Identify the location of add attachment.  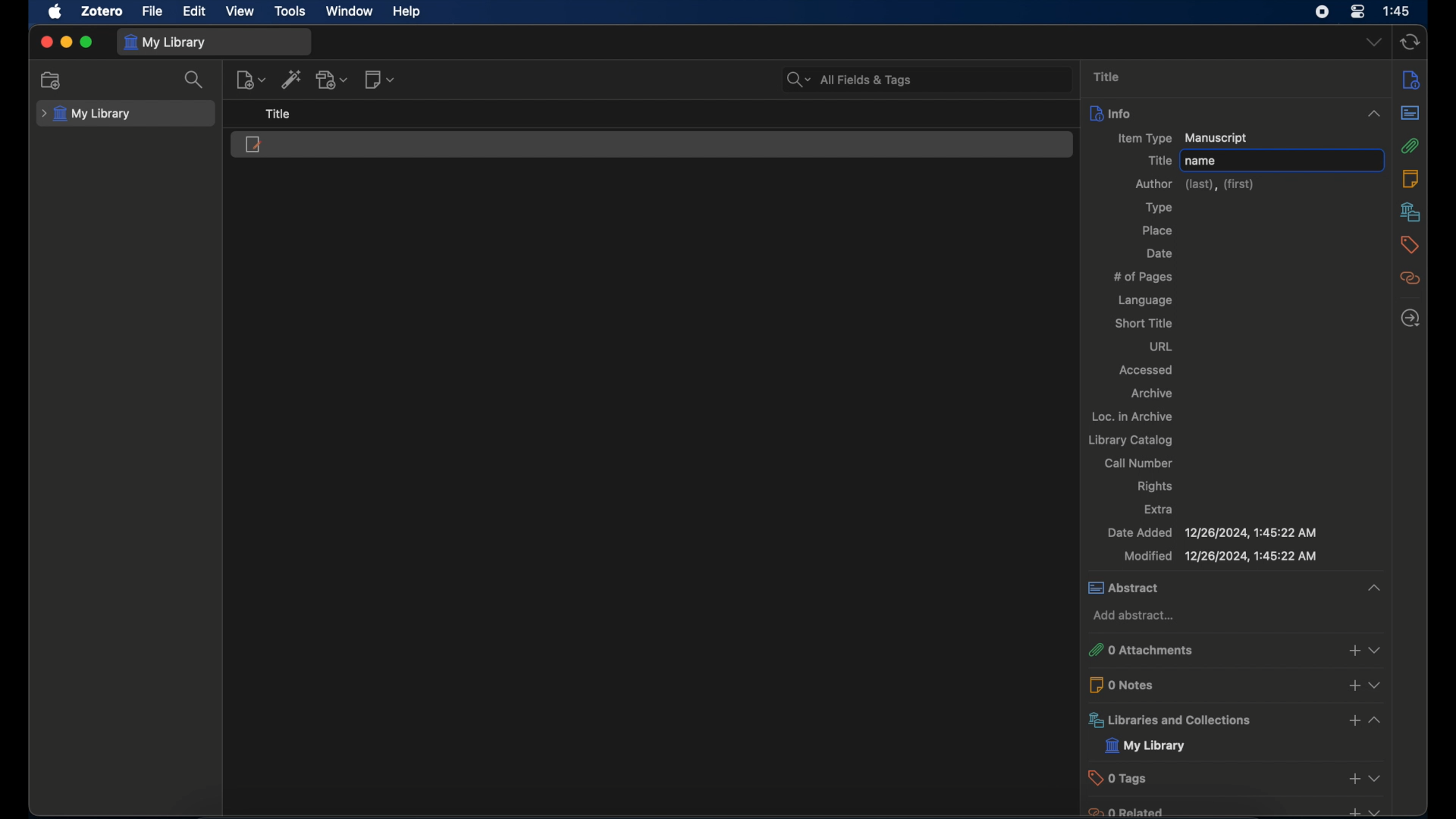
(332, 79).